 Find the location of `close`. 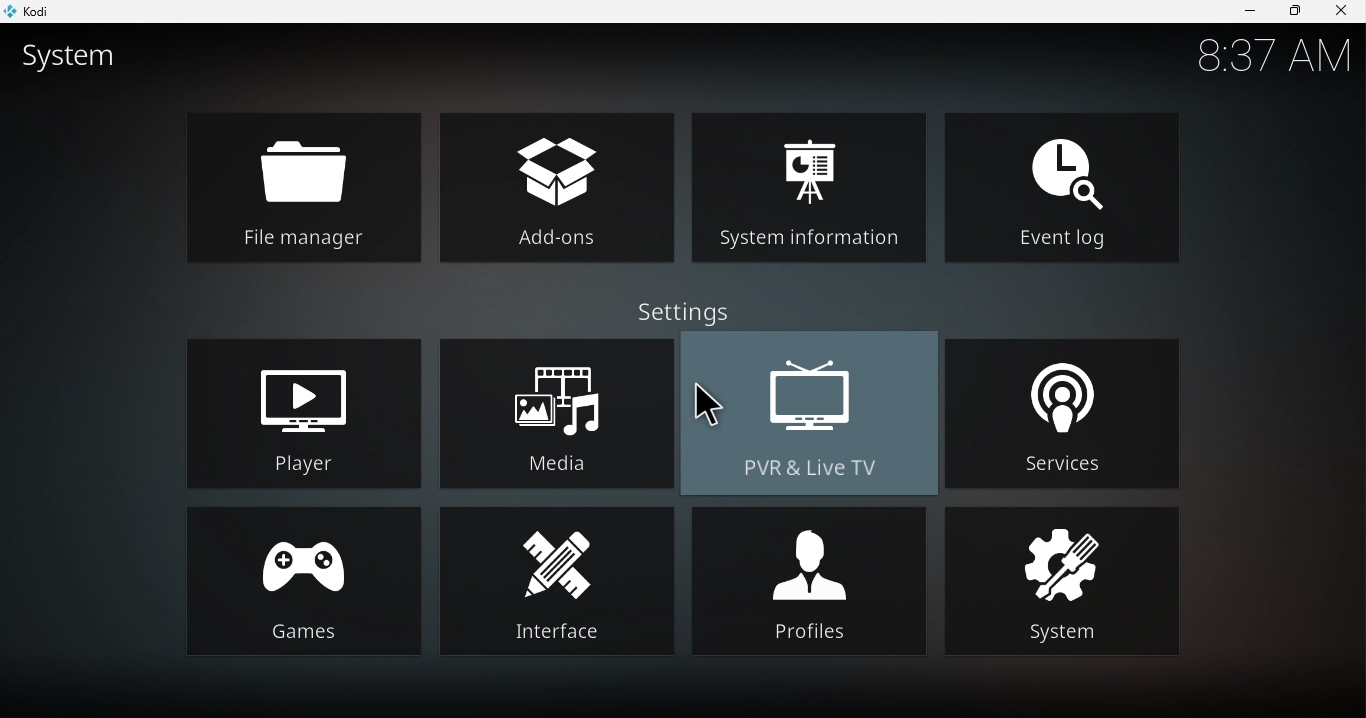

close is located at coordinates (1344, 13).